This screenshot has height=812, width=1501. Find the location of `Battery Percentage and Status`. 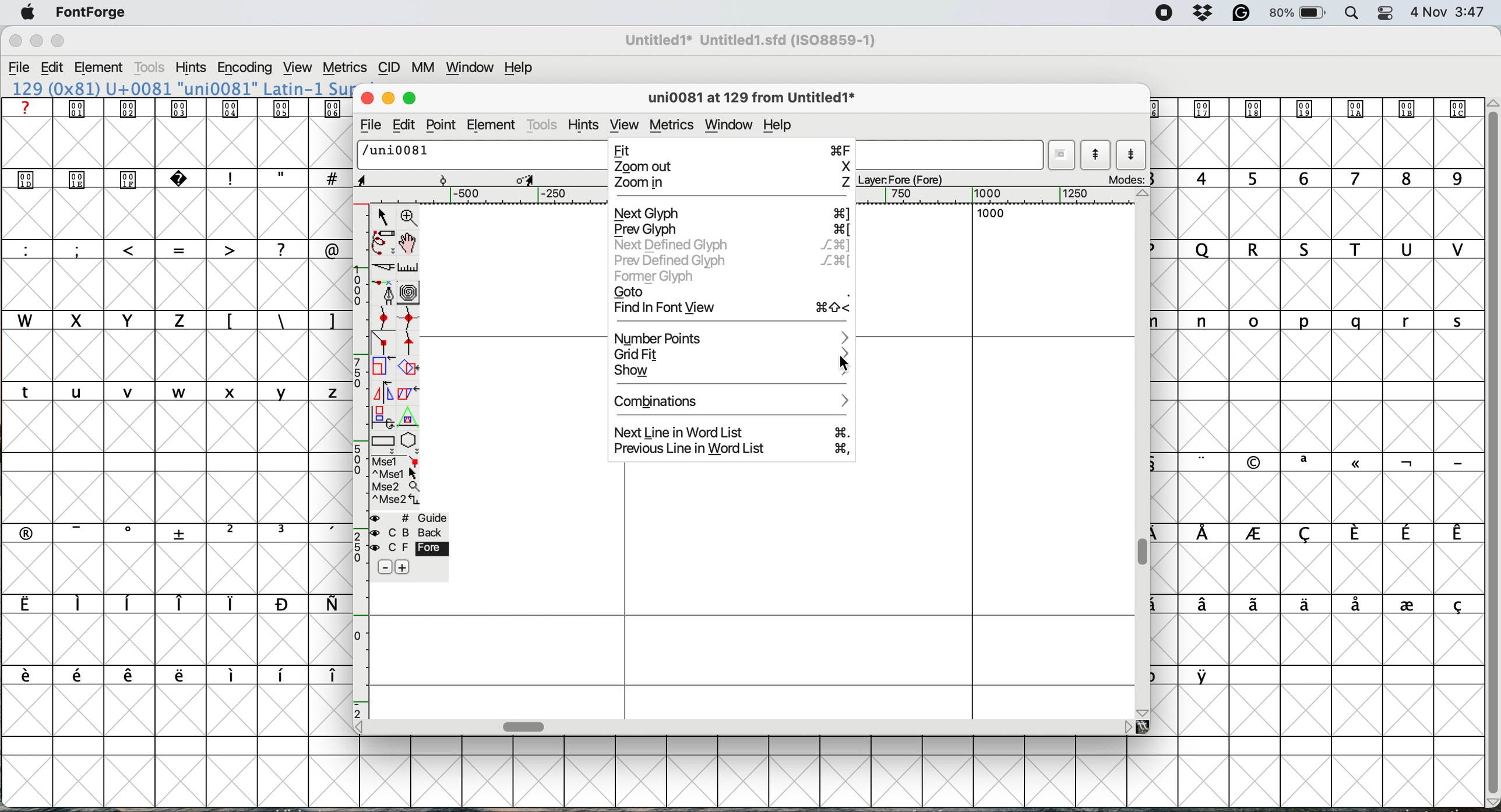

Battery Percentage and Status is located at coordinates (1297, 14).